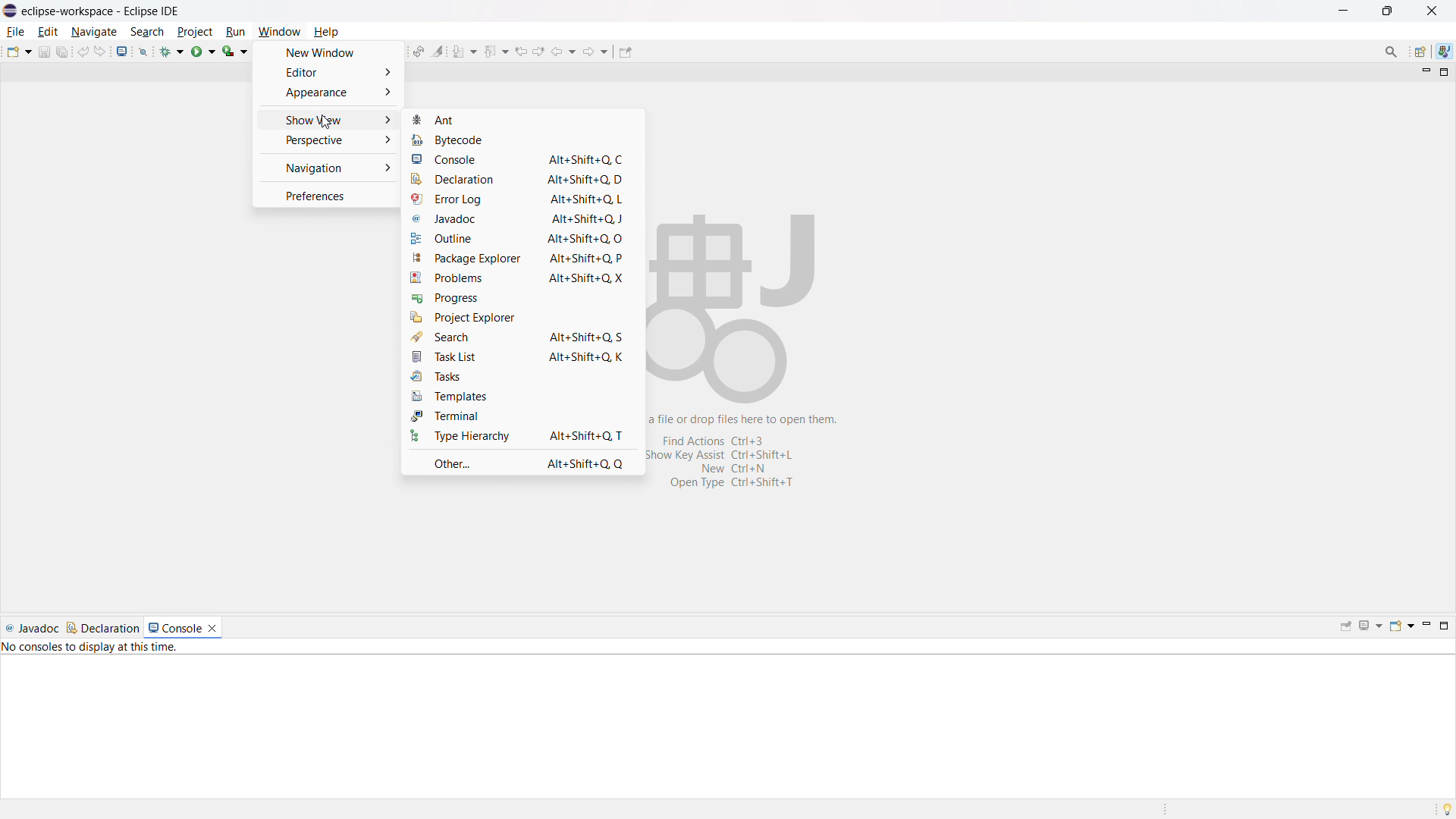 The height and width of the screenshot is (819, 1456). What do you see at coordinates (522, 140) in the screenshot?
I see `bytecode` at bounding box center [522, 140].